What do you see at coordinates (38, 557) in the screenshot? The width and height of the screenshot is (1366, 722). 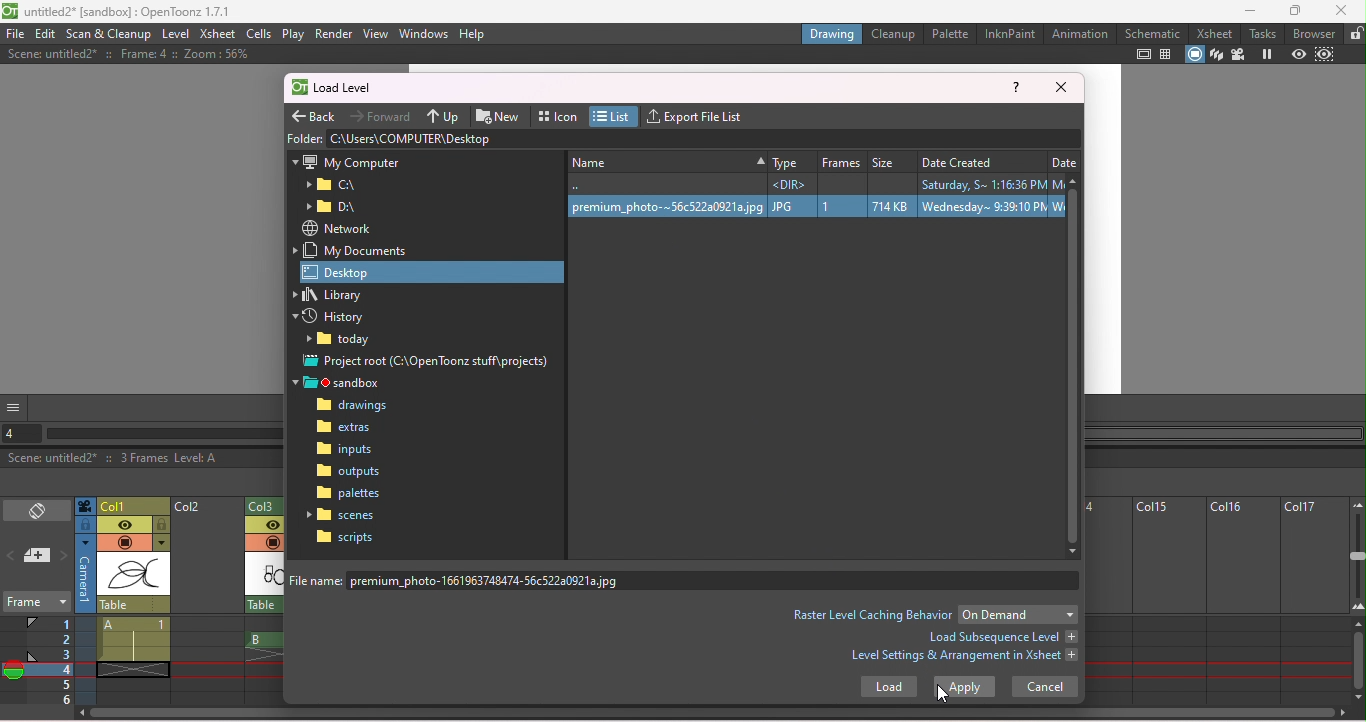 I see `New memo` at bounding box center [38, 557].